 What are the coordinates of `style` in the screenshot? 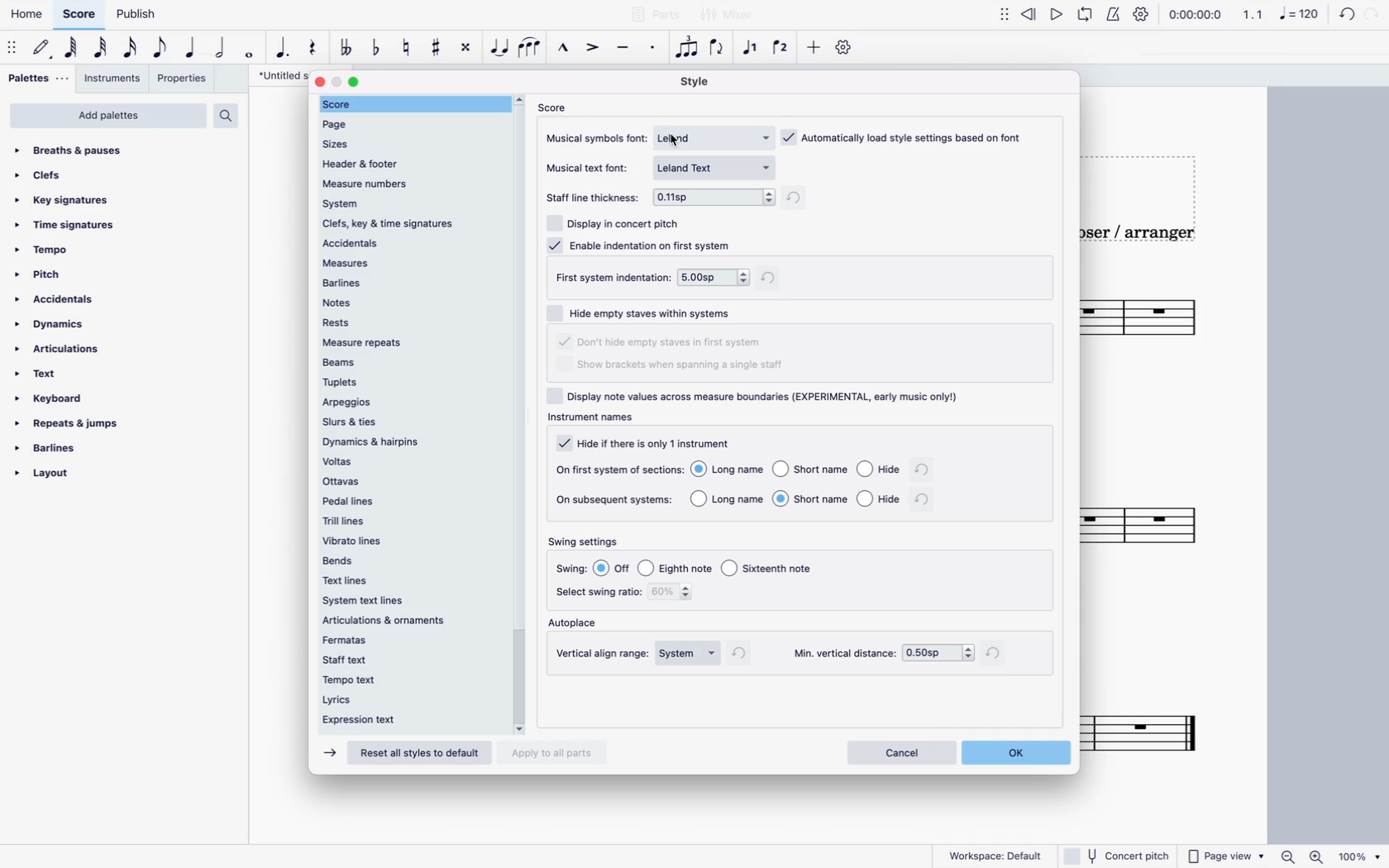 It's located at (702, 83).